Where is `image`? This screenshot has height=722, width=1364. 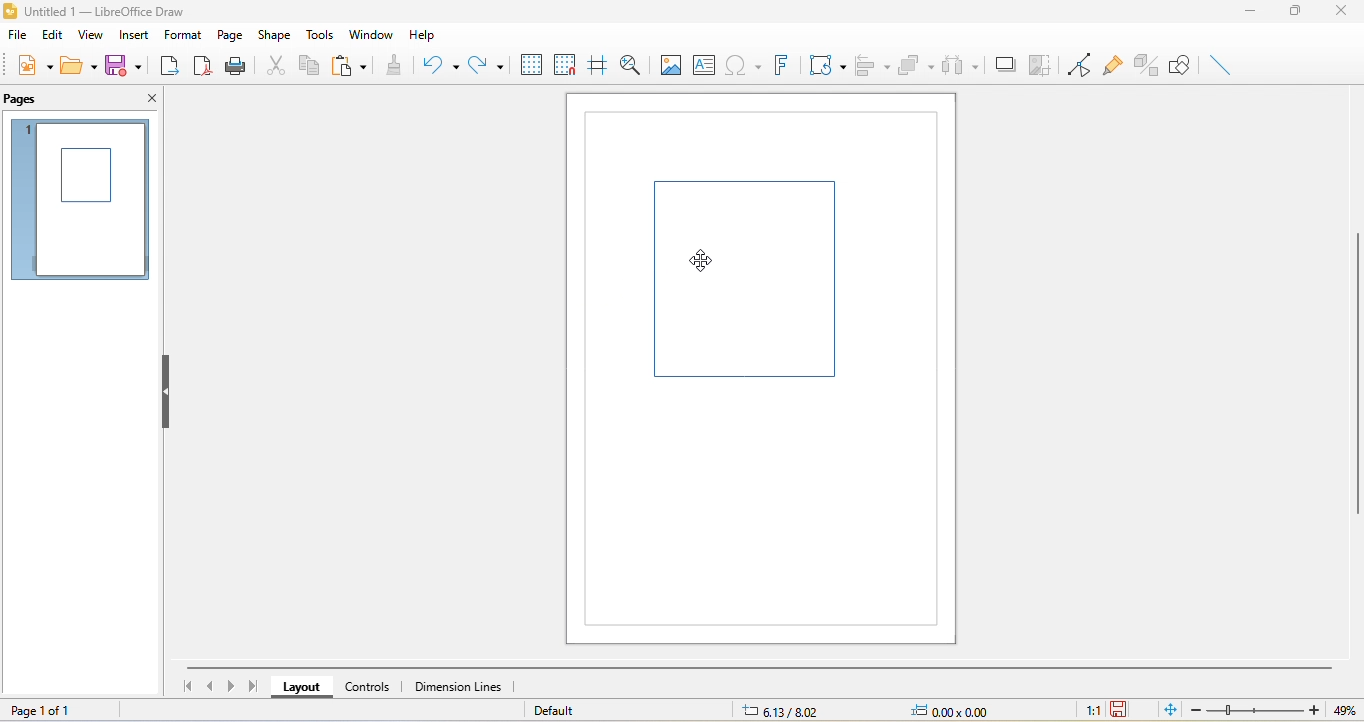 image is located at coordinates (672, 64).